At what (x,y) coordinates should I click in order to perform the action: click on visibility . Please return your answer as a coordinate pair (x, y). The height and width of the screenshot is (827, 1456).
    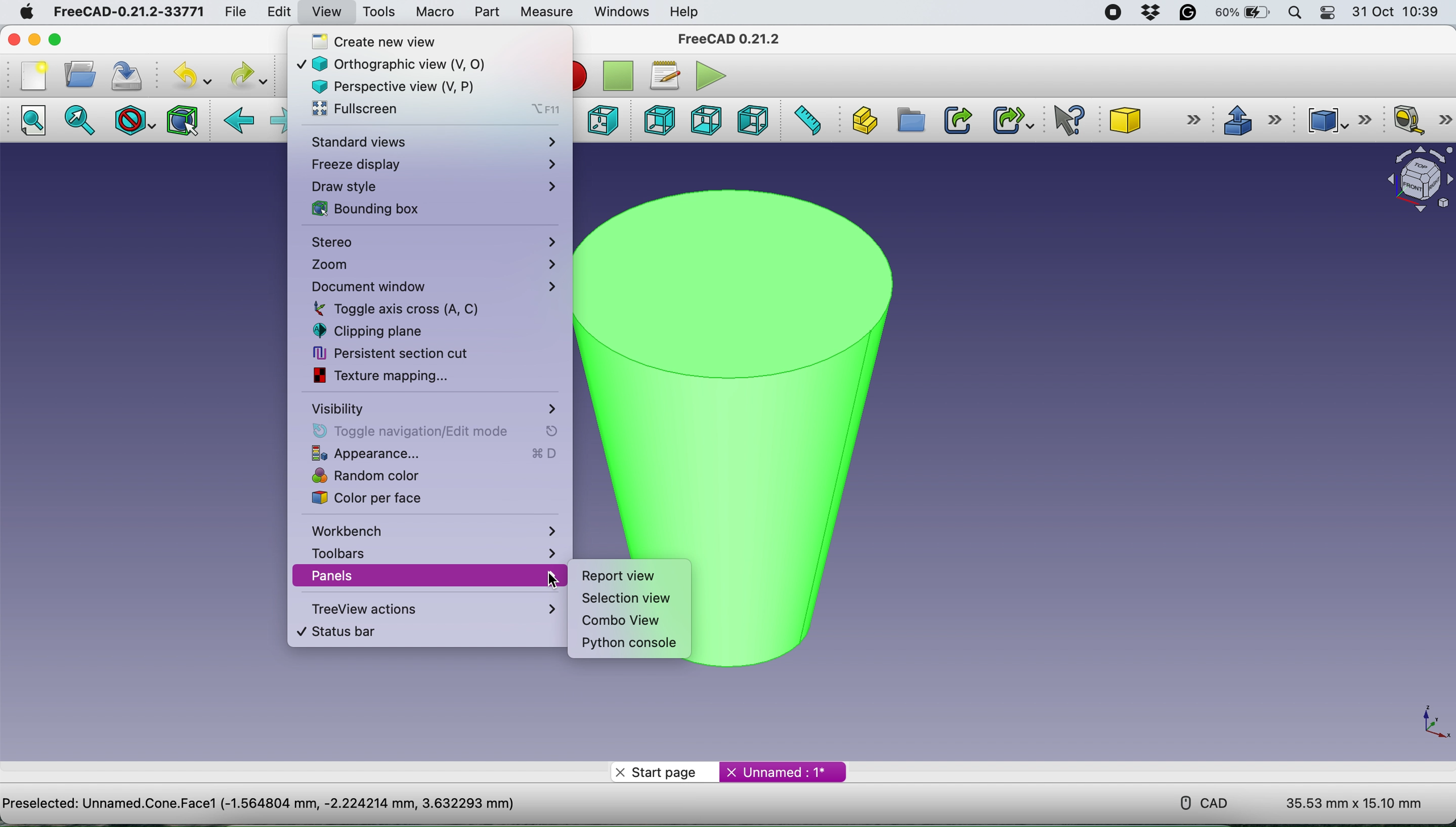
    Looking at the image, I should click on (432, 408).